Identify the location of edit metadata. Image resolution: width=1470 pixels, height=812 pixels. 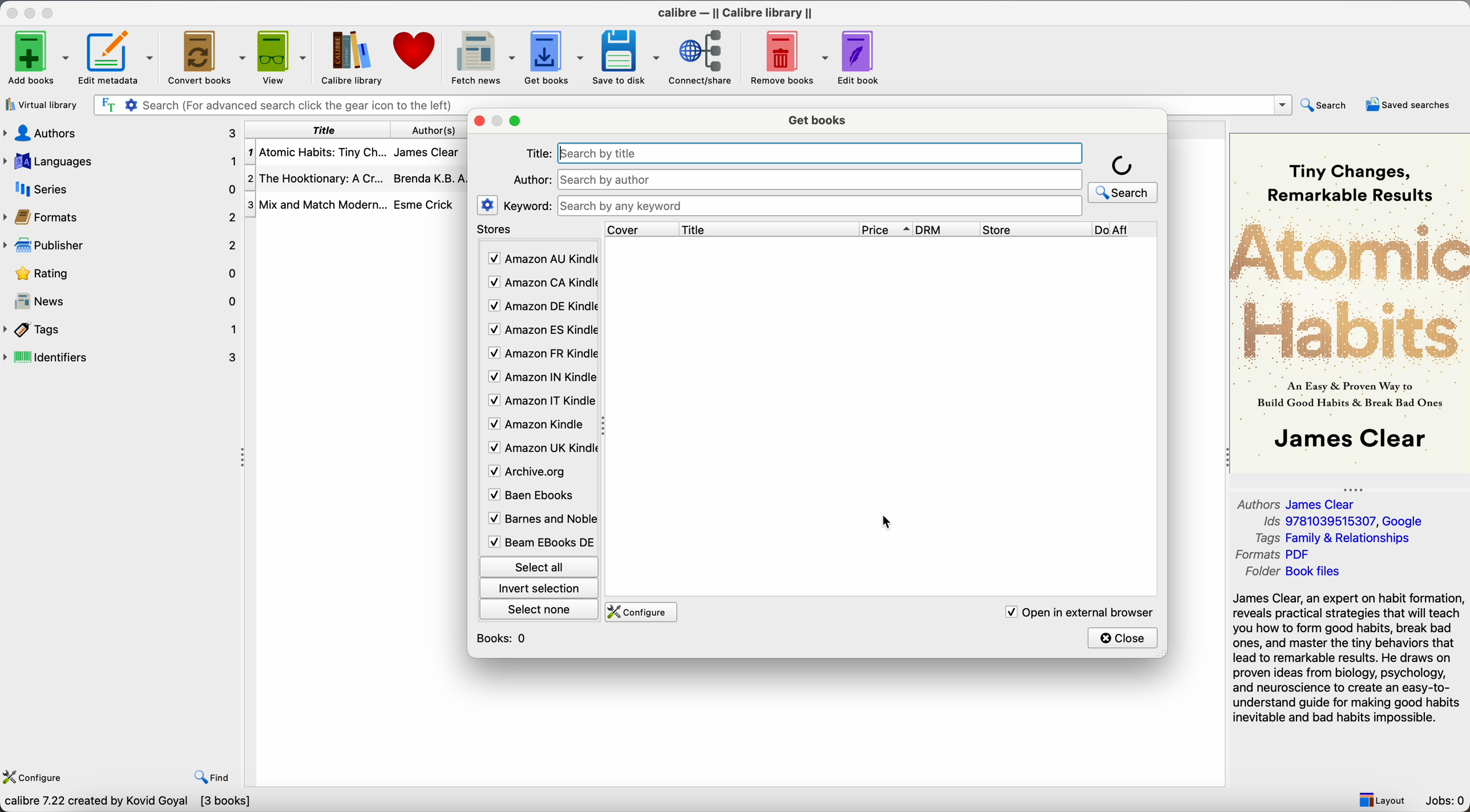
(118, 59).